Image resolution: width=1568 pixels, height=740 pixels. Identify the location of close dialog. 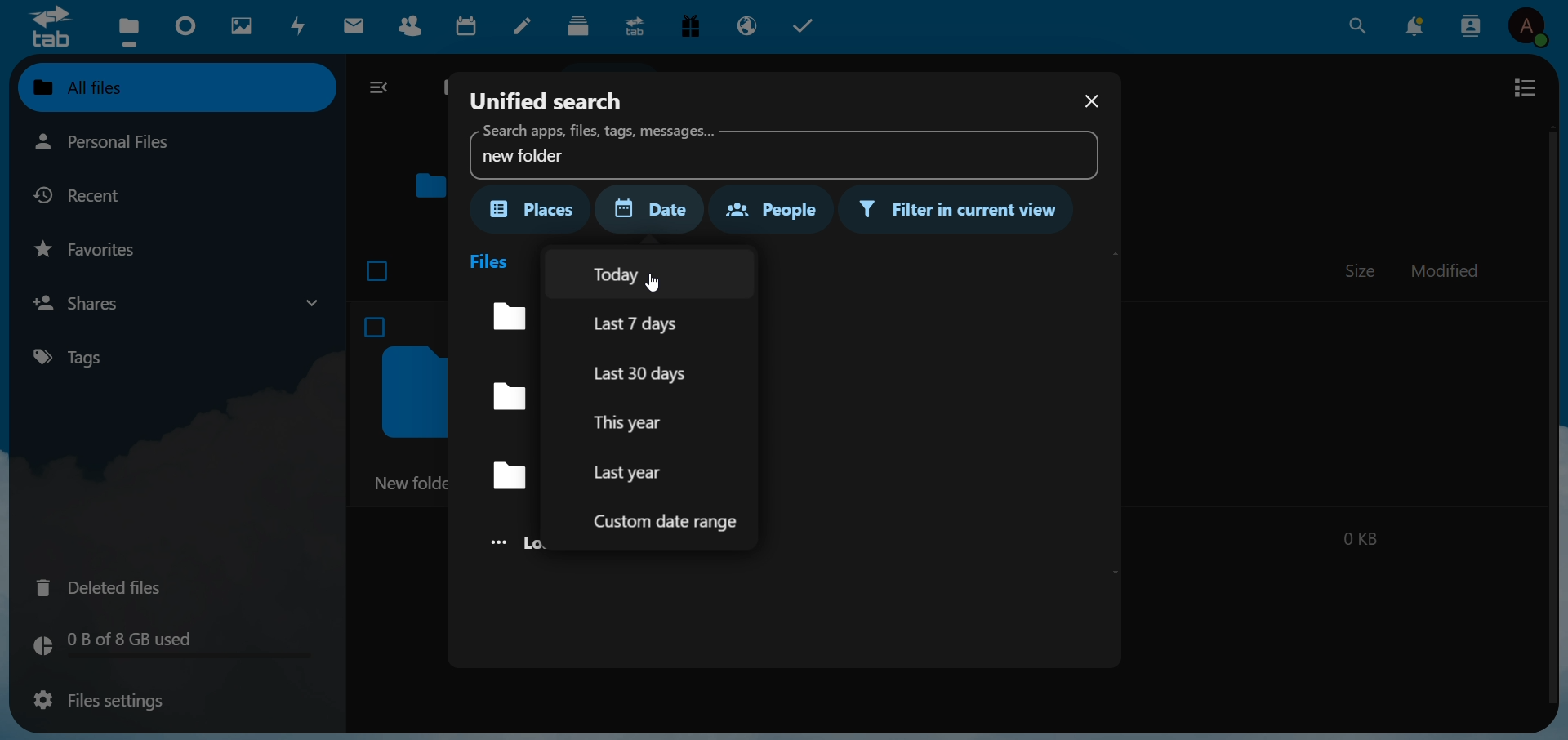
(1089, 103).